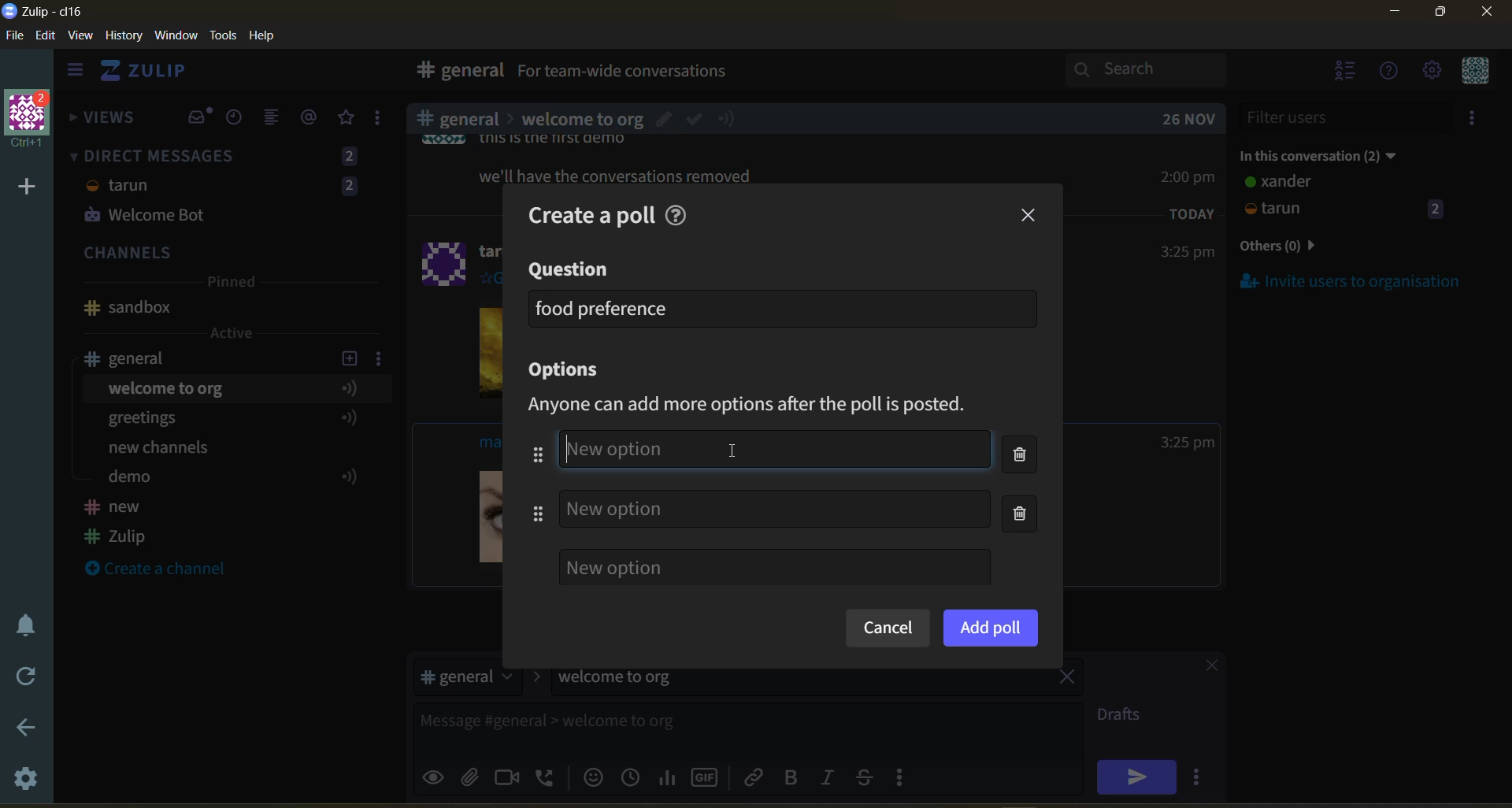  What do you see at coordinates (1188, 443) in the screenshot?
I see `3:25 pm` at bounding box center [1188, 443].